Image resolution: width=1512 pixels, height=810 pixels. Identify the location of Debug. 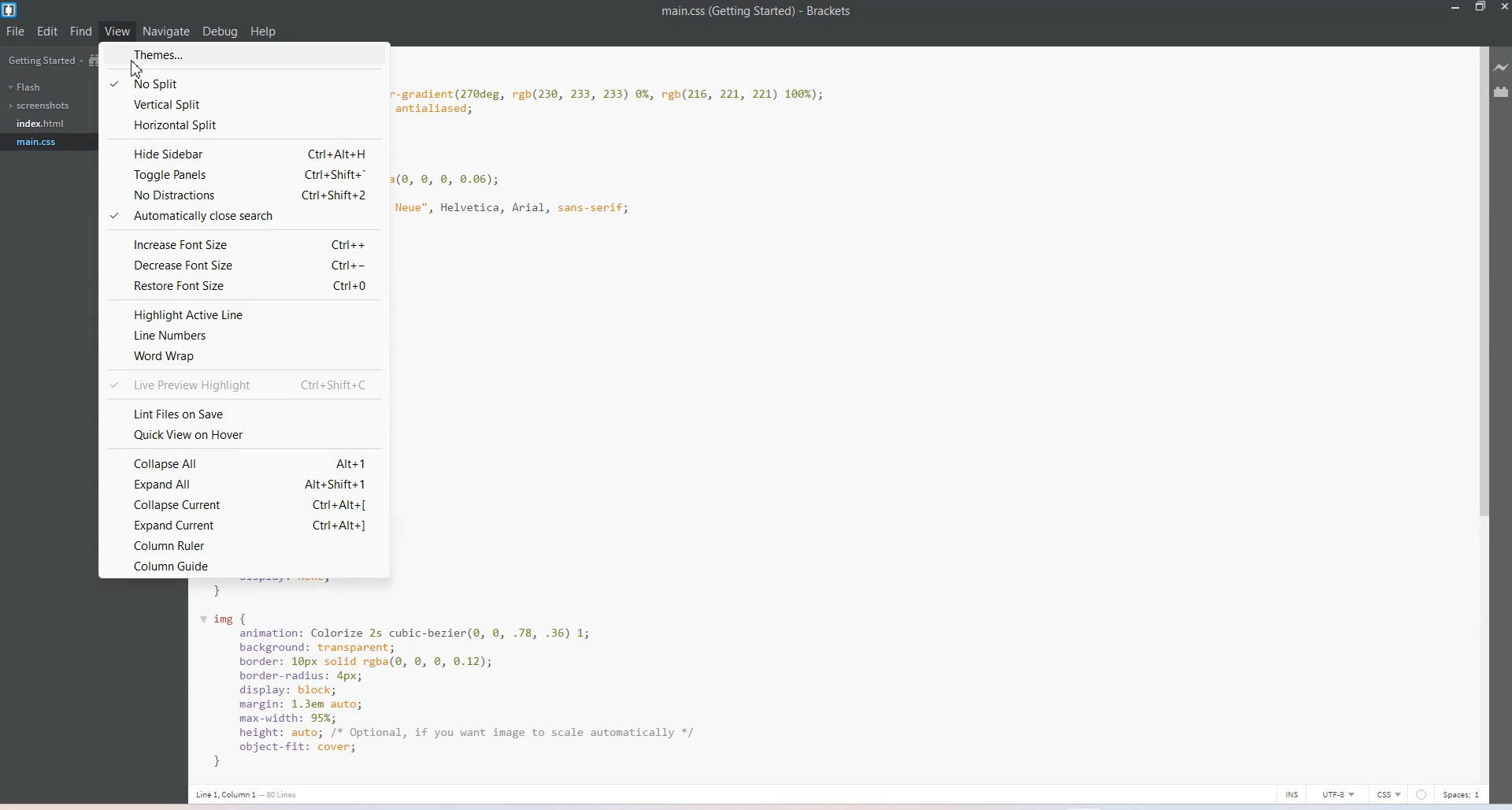
(220, 32).